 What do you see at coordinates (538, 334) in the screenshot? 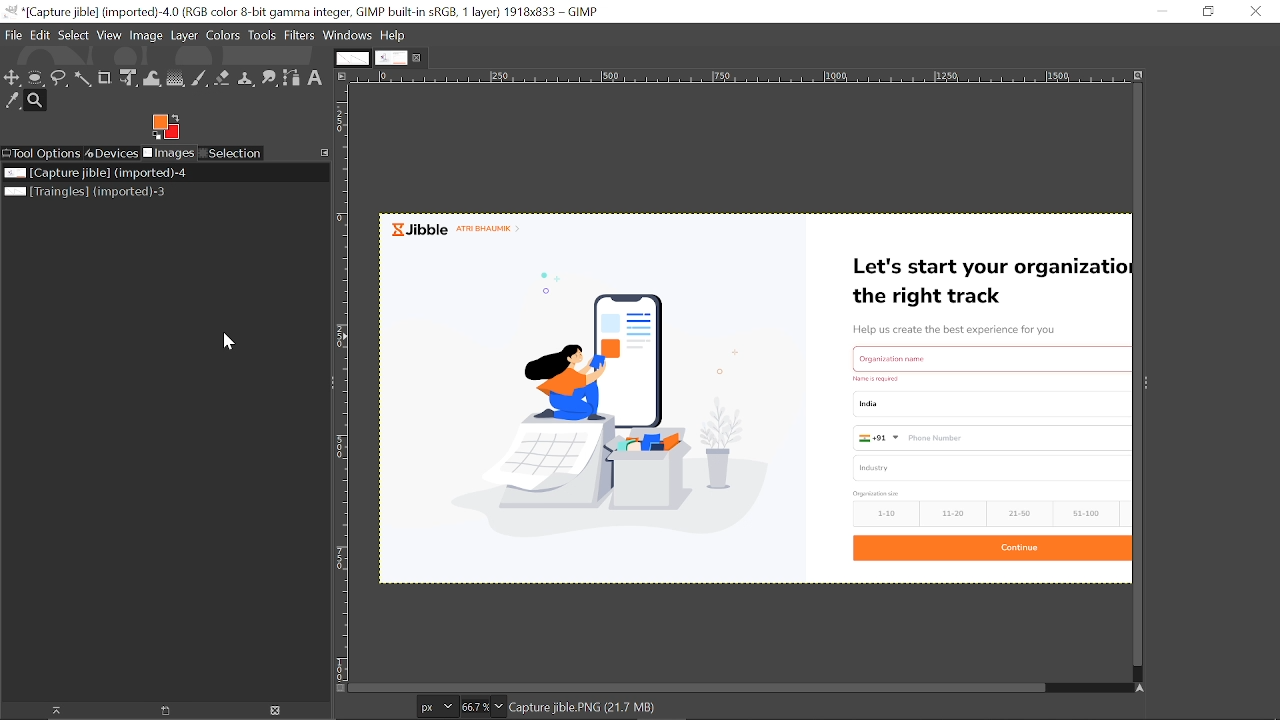
I see `cursor` at bounding box center [538, 334].